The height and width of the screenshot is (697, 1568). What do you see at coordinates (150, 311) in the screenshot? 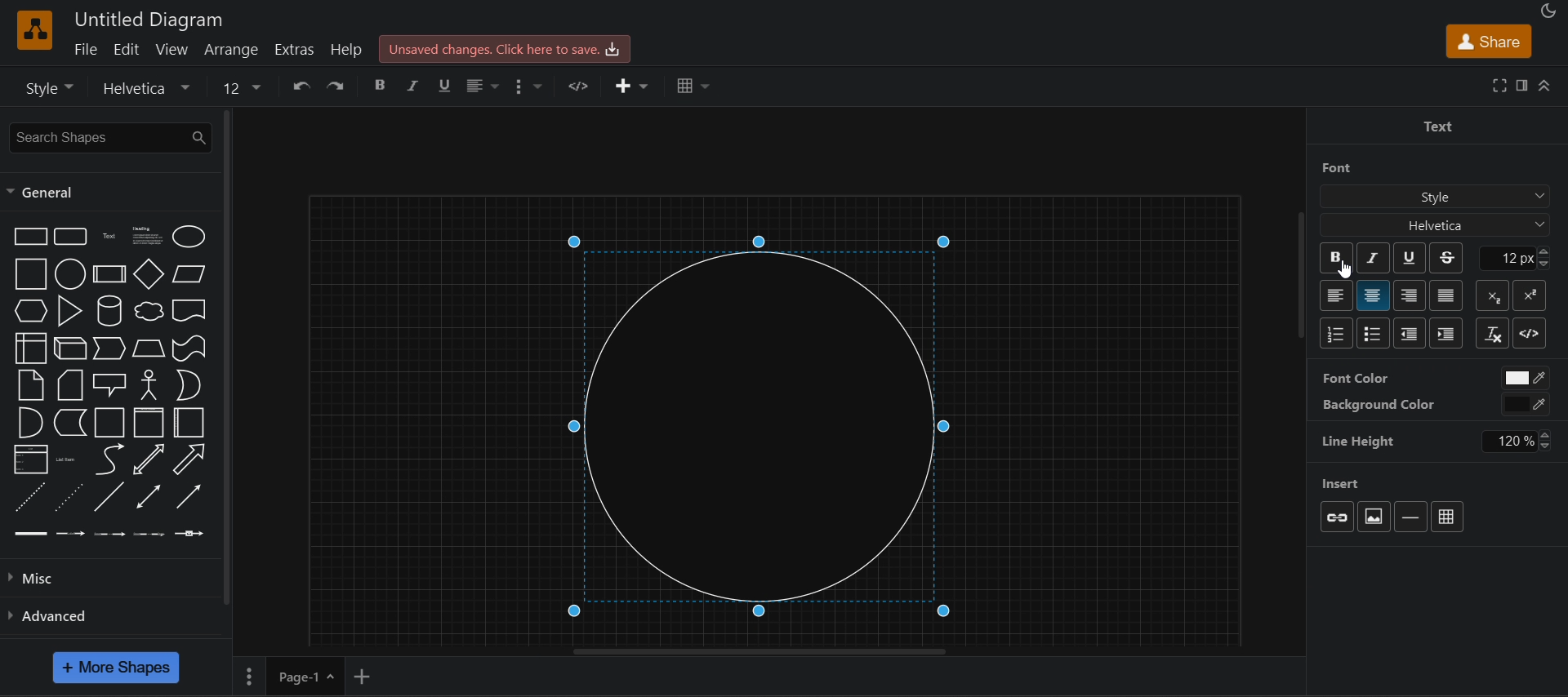
I see `cloud` at bounding box center [150, 311].